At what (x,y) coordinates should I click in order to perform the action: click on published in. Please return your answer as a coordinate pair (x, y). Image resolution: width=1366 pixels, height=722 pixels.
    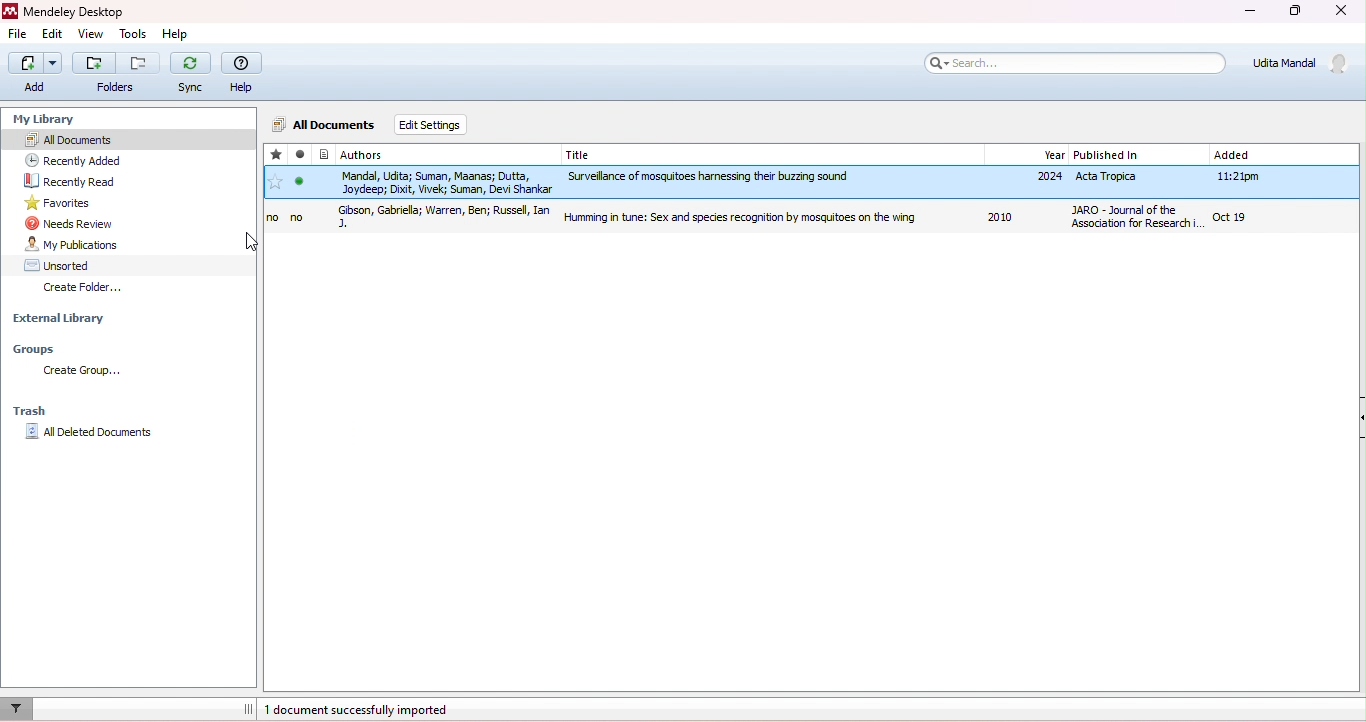
    Looking at the image, I should click on (1112, 156).